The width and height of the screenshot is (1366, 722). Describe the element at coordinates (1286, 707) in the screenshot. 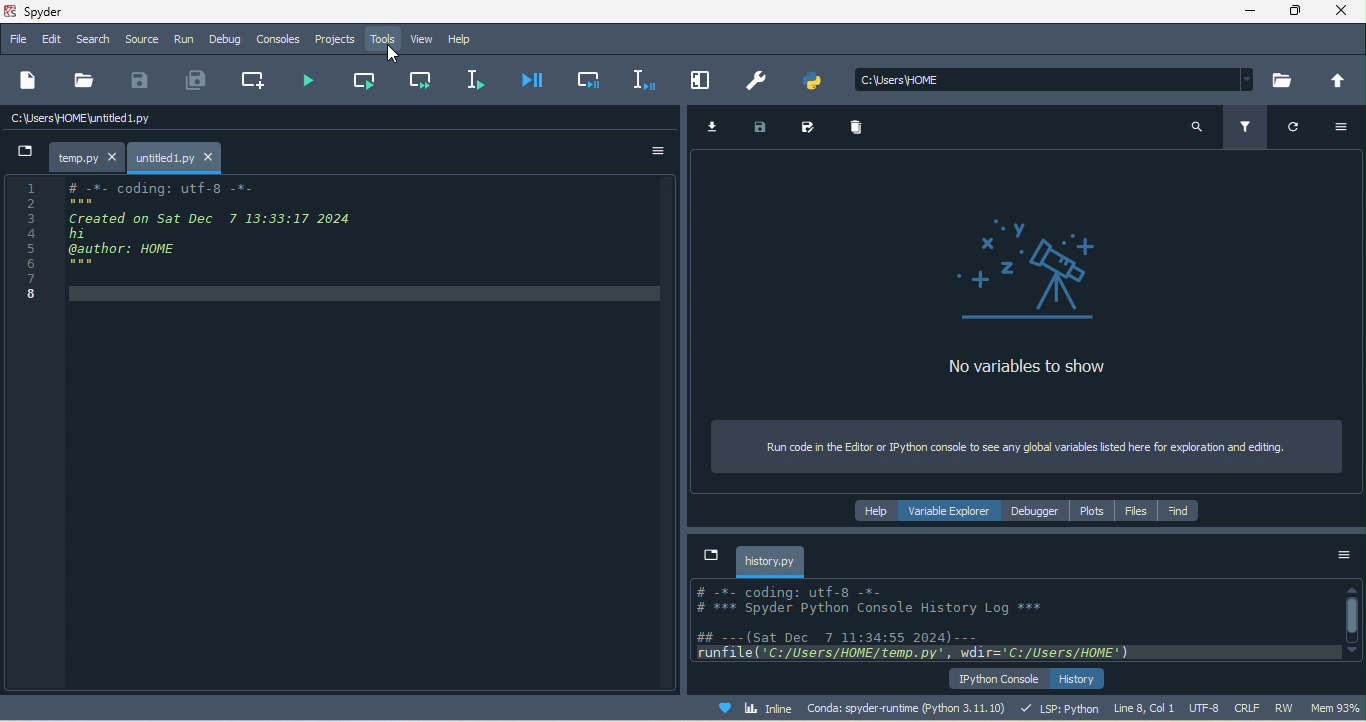

I see `rw` at that location.